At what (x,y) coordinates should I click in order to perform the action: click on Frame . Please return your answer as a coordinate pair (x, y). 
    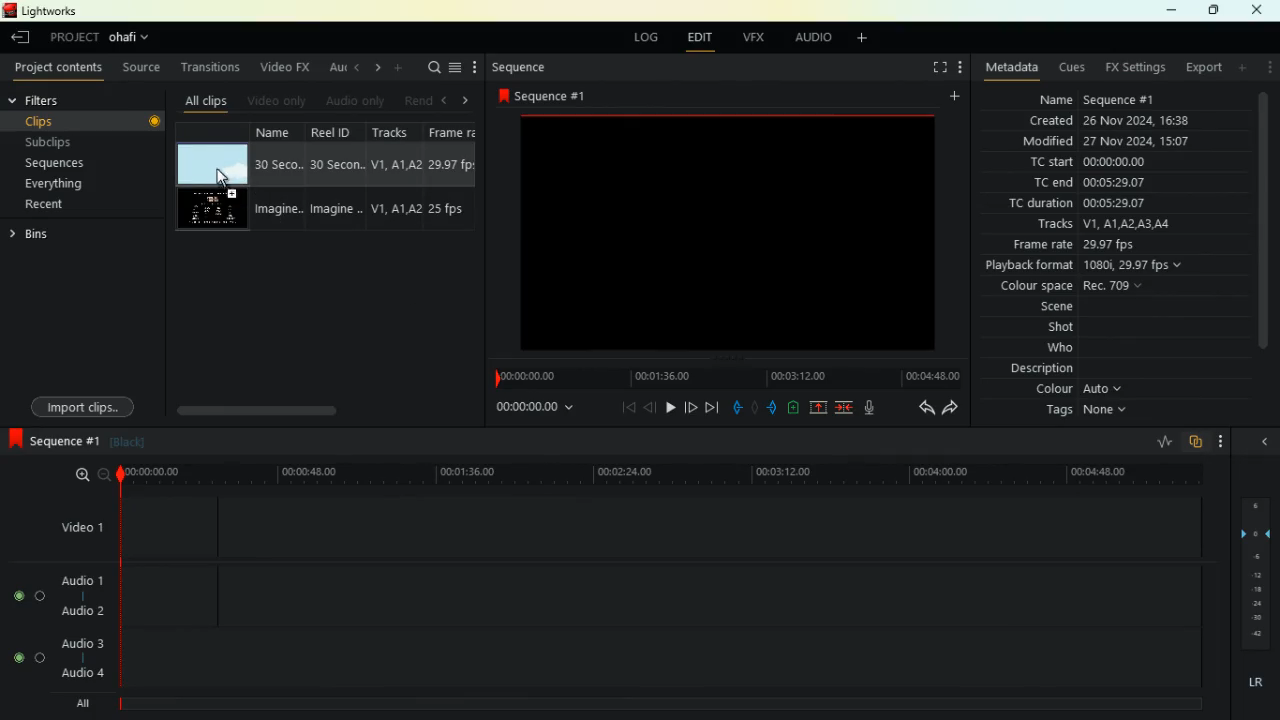
    Looking at the image, I should click on (452, 133).